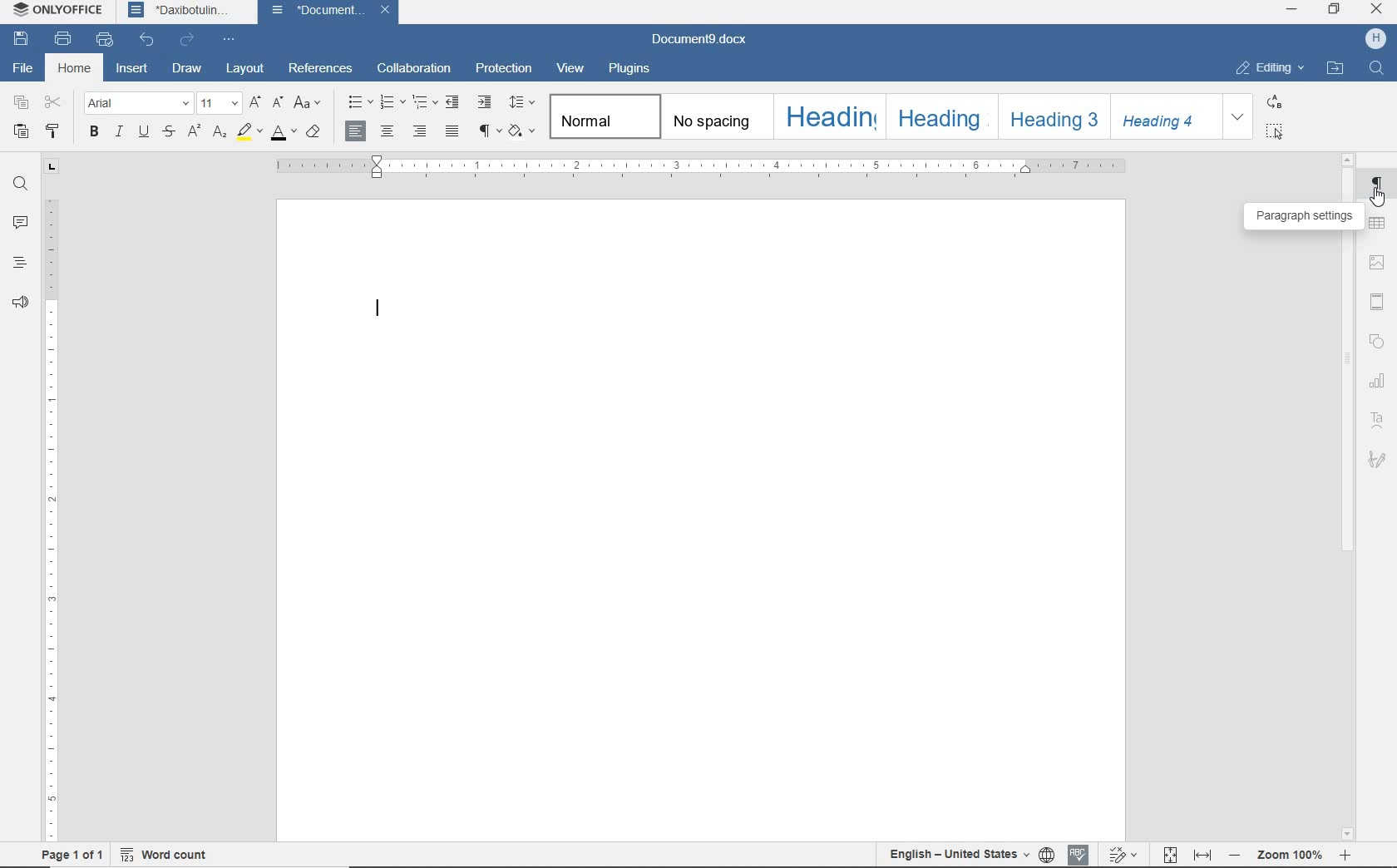  Describe the element at coordinates (415, 70) in the screenshot. I see `collaboration` at that location.